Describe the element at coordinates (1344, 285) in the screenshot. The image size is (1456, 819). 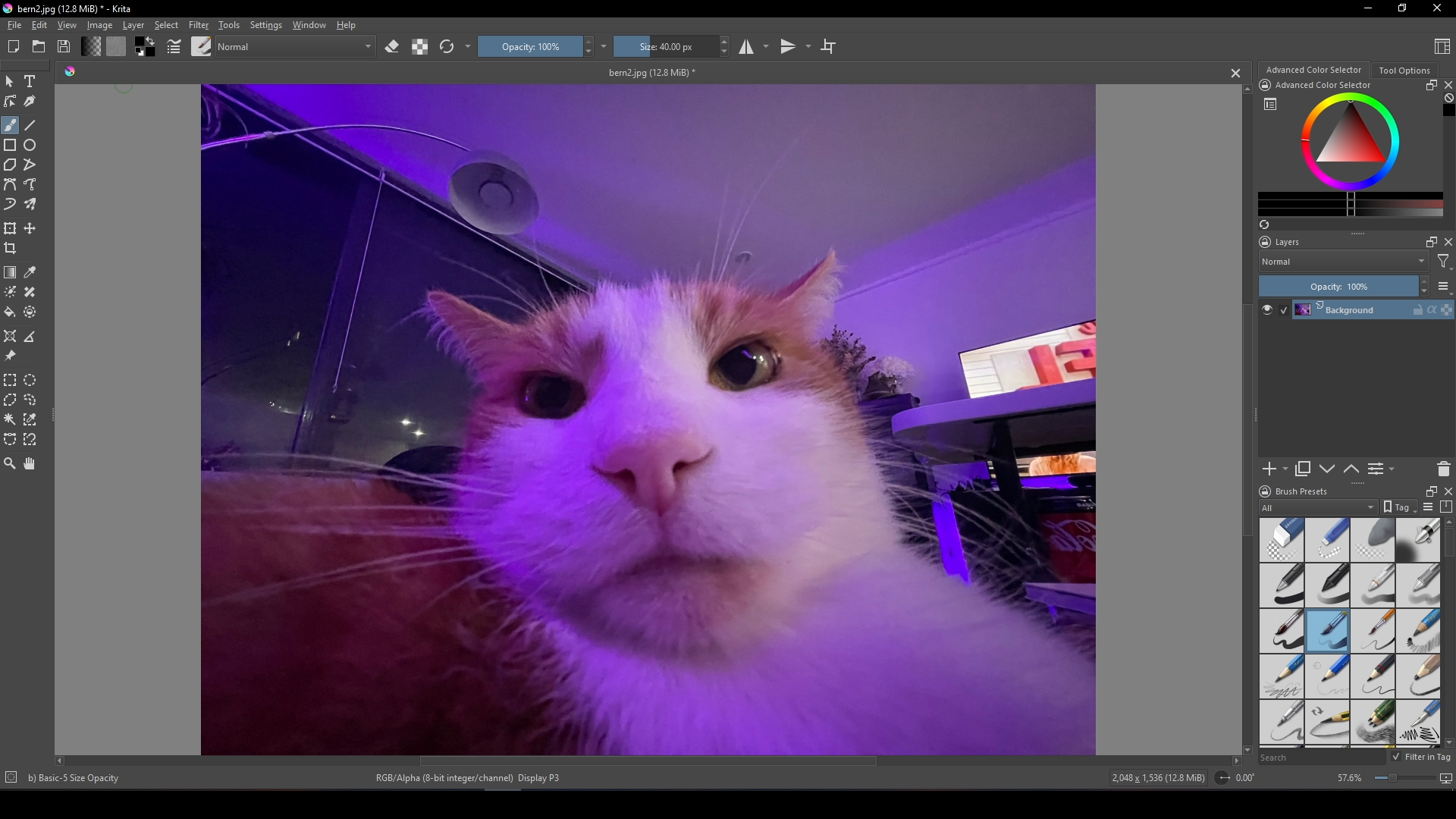
I see `Opacity` at that location.